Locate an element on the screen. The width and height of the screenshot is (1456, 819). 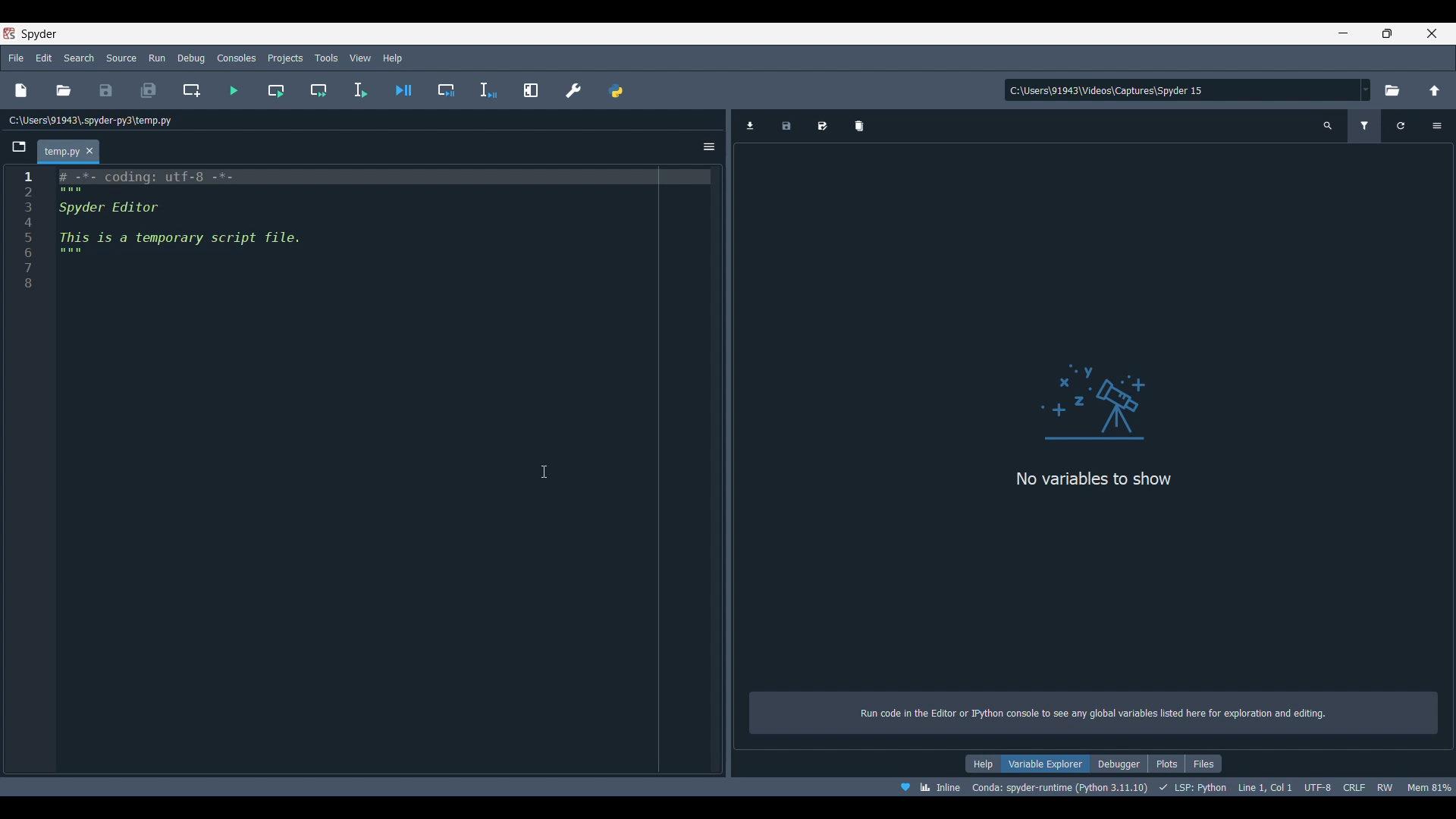
Remove all variables is located at coordinates (859, 126).